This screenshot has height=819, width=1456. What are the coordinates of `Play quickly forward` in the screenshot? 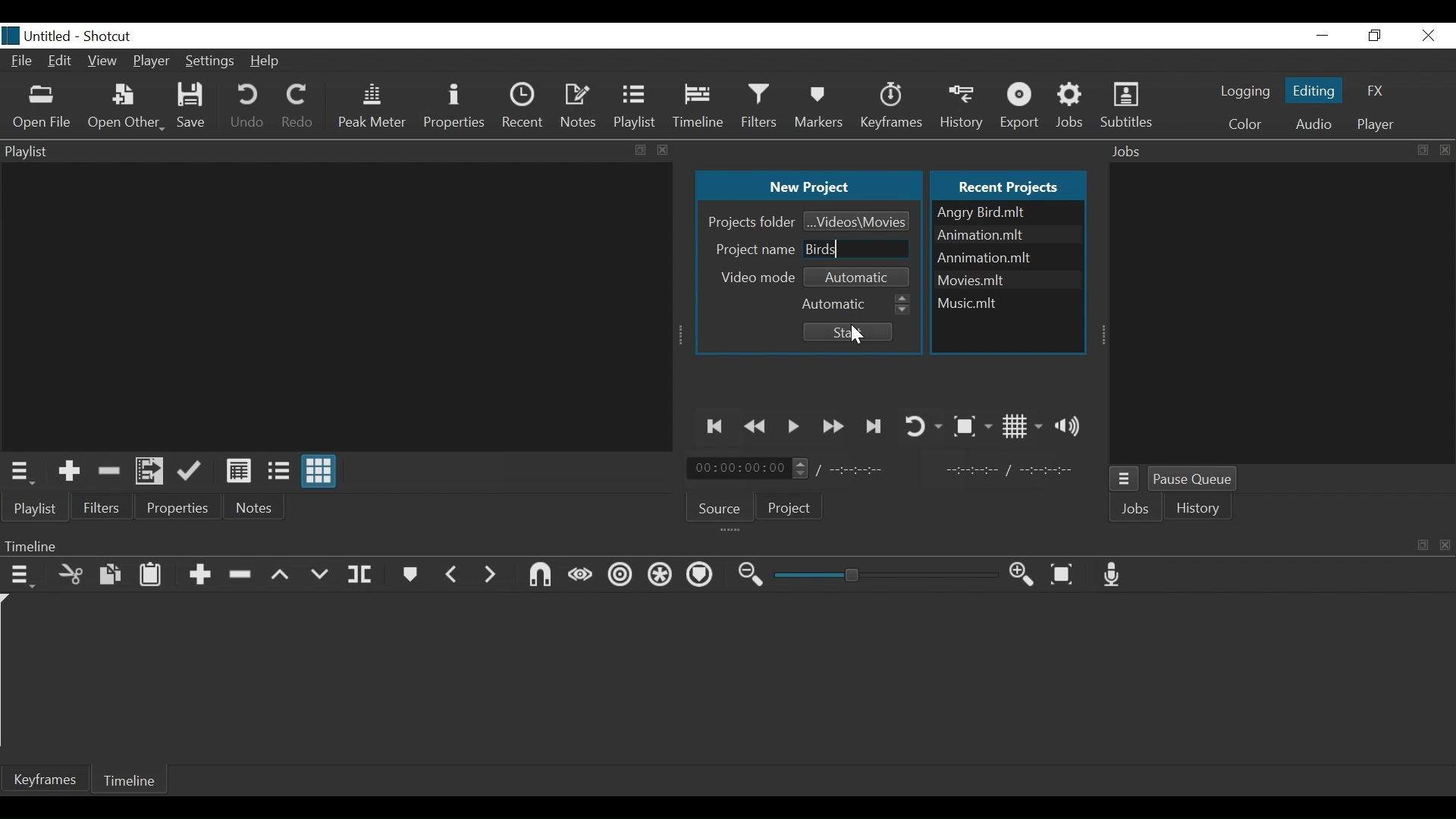 It's located at (833, 426).